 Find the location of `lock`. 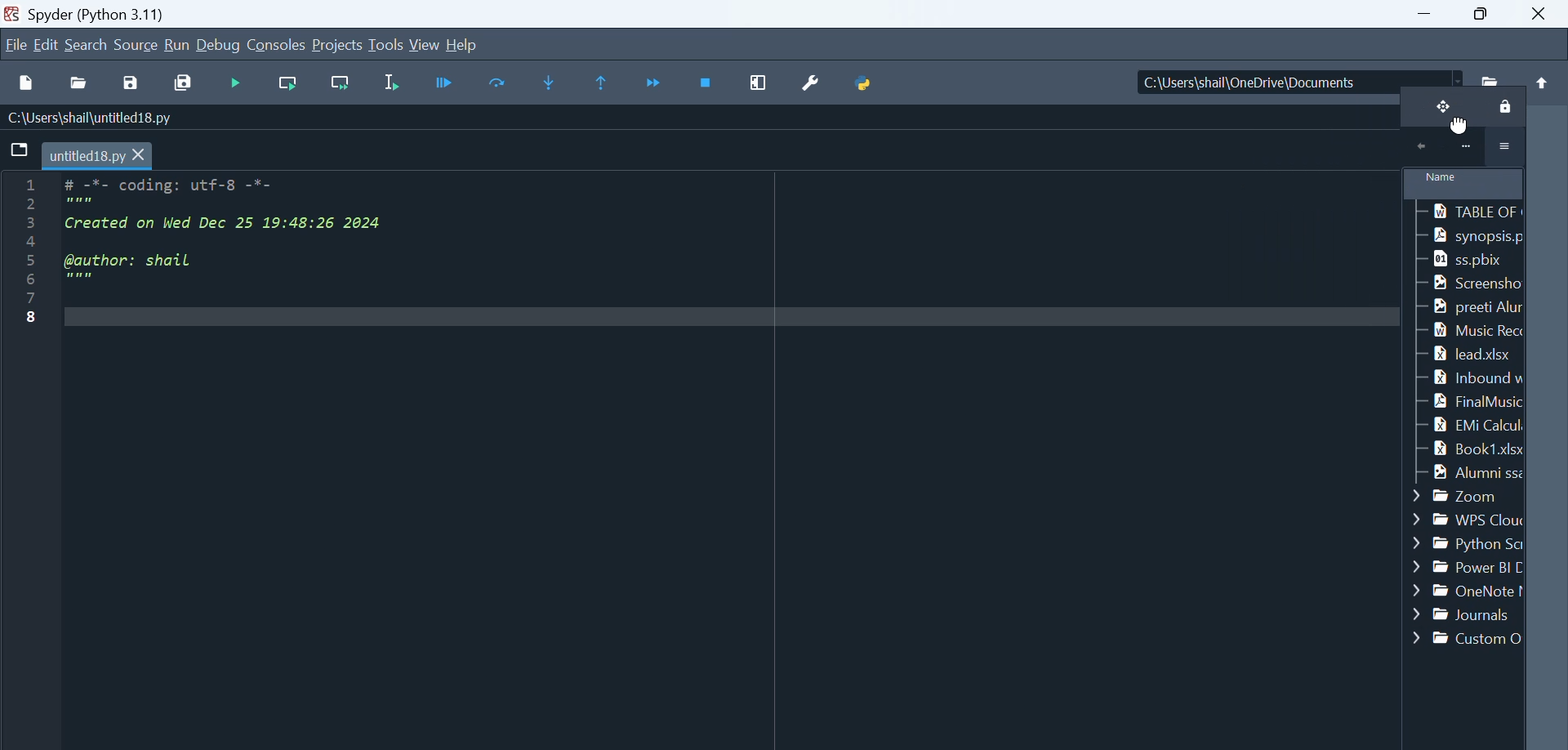

lock is located at coordinates (1500, 110).